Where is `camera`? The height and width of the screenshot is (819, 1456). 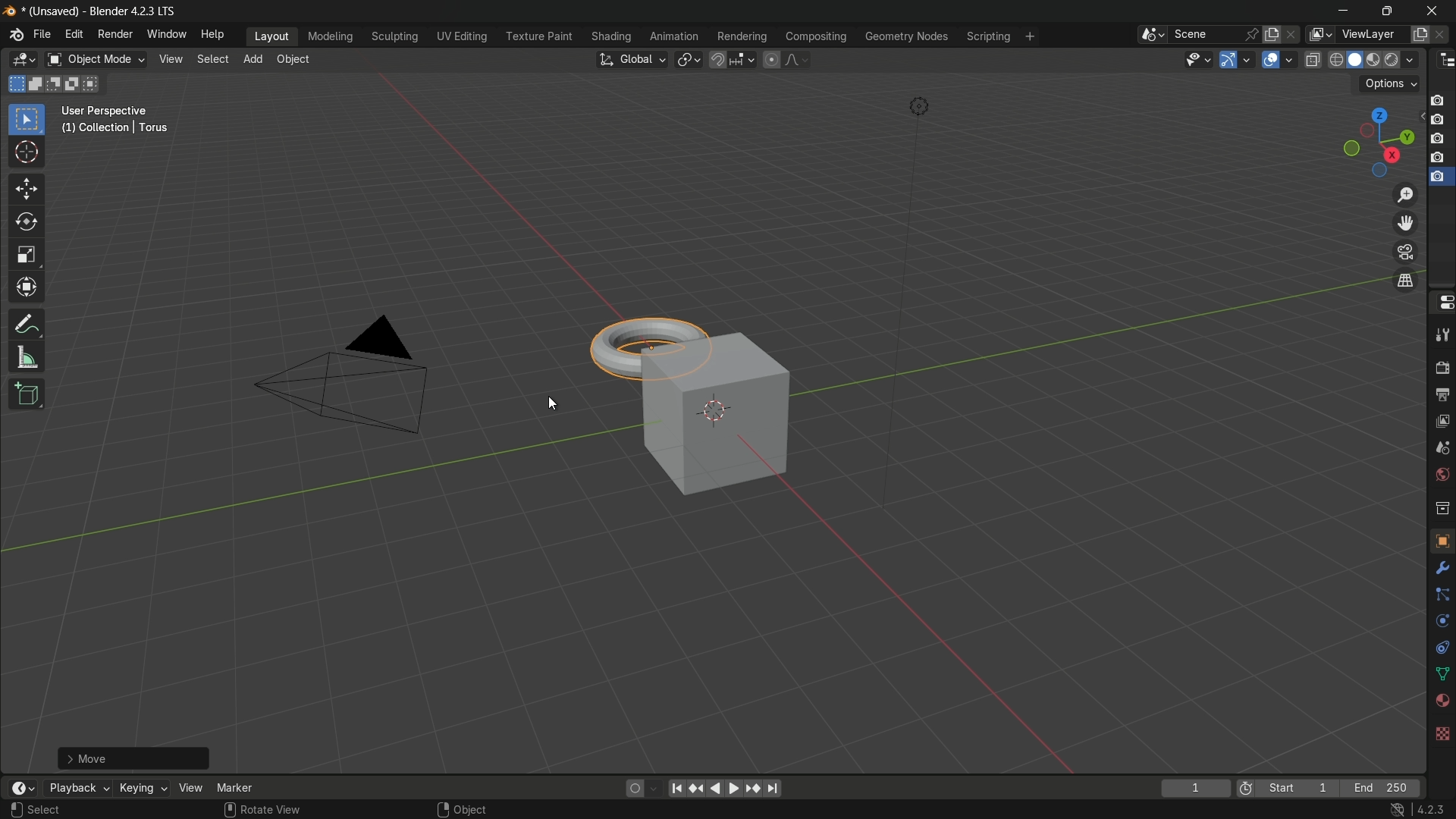 camera is located at coordinates (344, 375).